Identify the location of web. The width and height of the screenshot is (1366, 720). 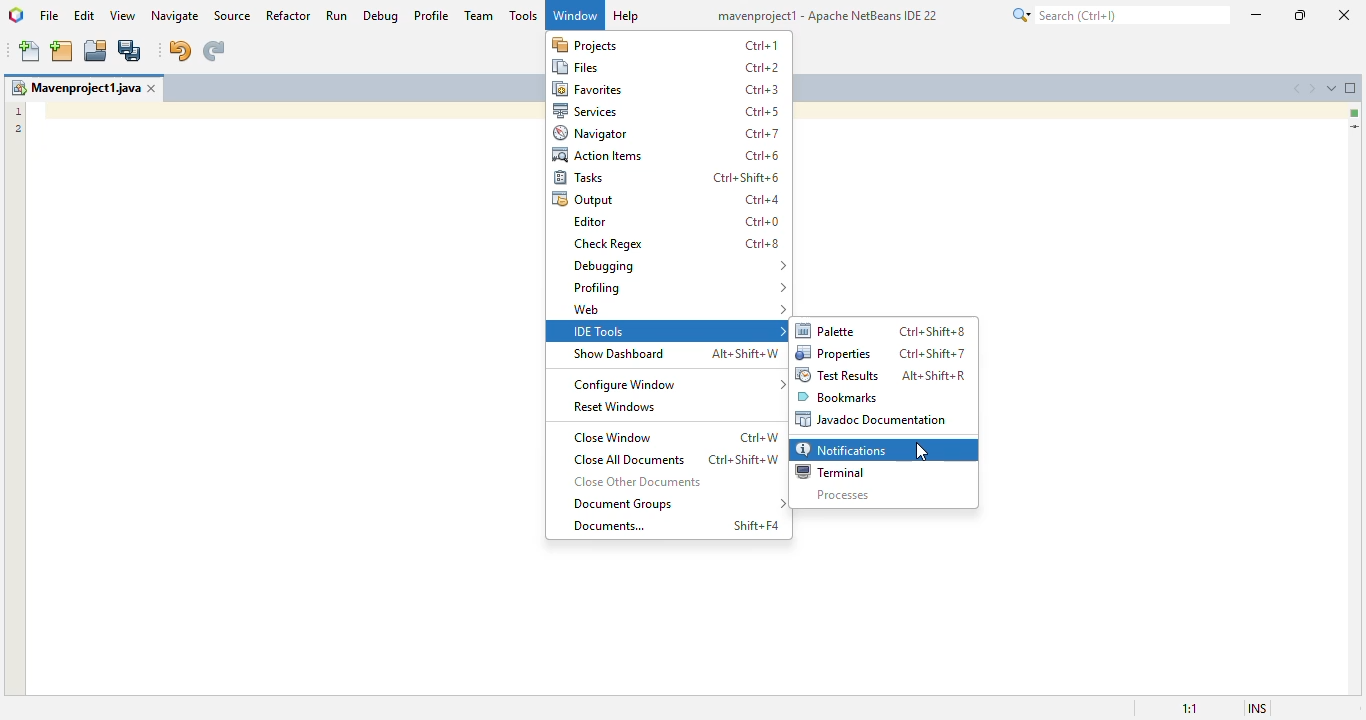
(680, 308).